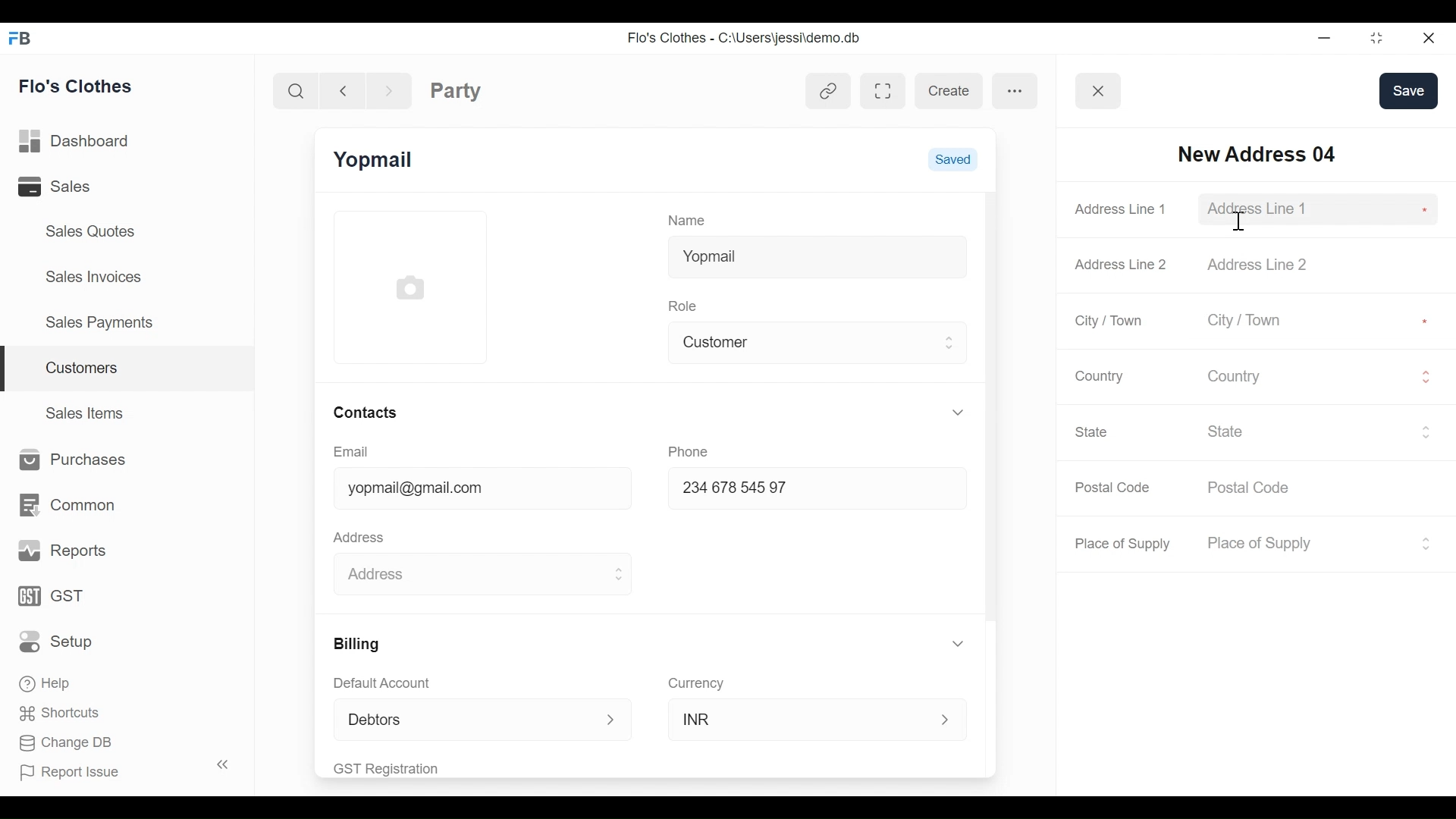  I want to click on Report Issue, so click(117, 769).